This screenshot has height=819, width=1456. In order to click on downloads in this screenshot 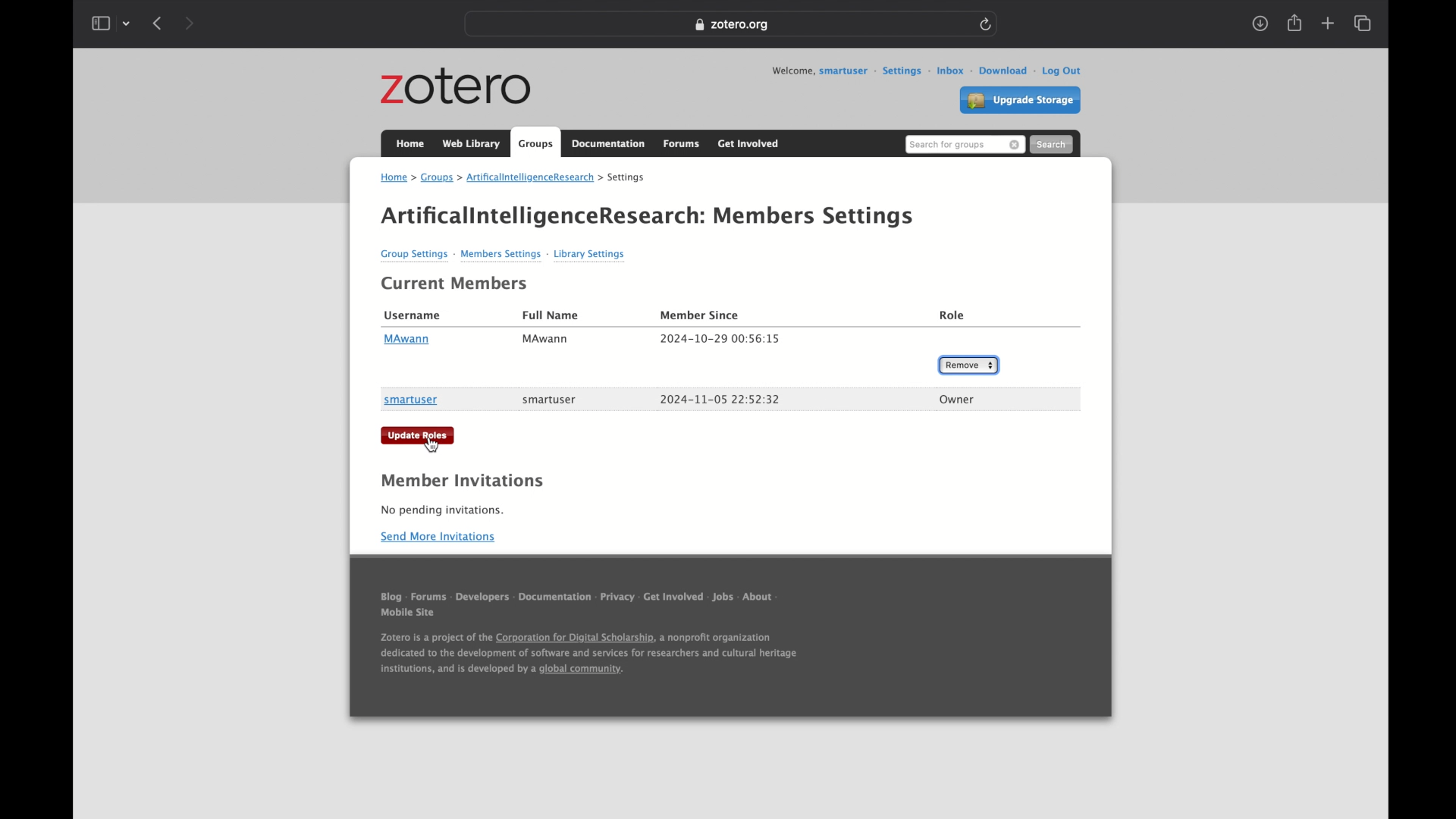, I will do `click(1261, 24)`.